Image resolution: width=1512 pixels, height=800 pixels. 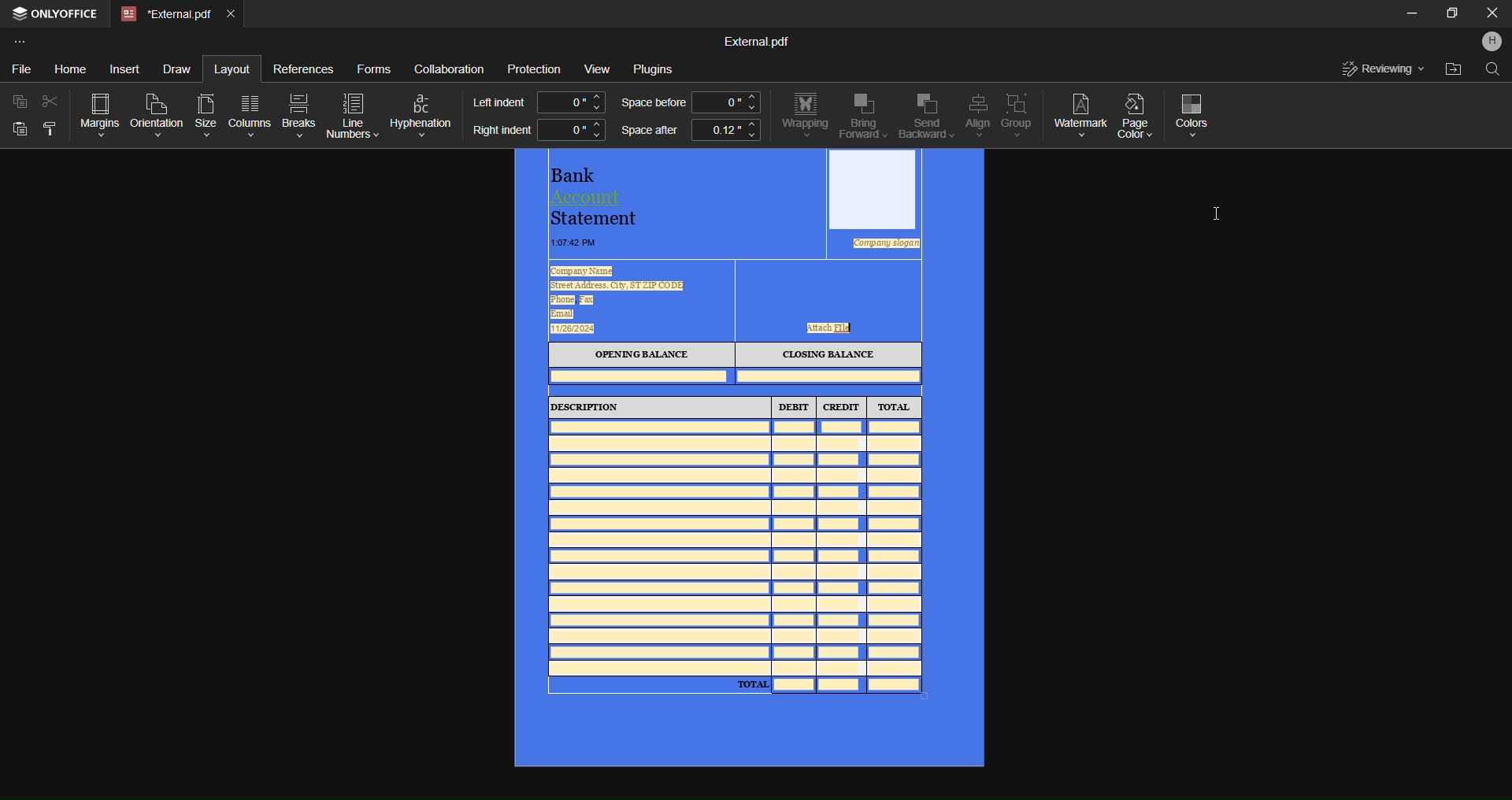 I want to click on Copy Styles, so click(x=48, y=131).